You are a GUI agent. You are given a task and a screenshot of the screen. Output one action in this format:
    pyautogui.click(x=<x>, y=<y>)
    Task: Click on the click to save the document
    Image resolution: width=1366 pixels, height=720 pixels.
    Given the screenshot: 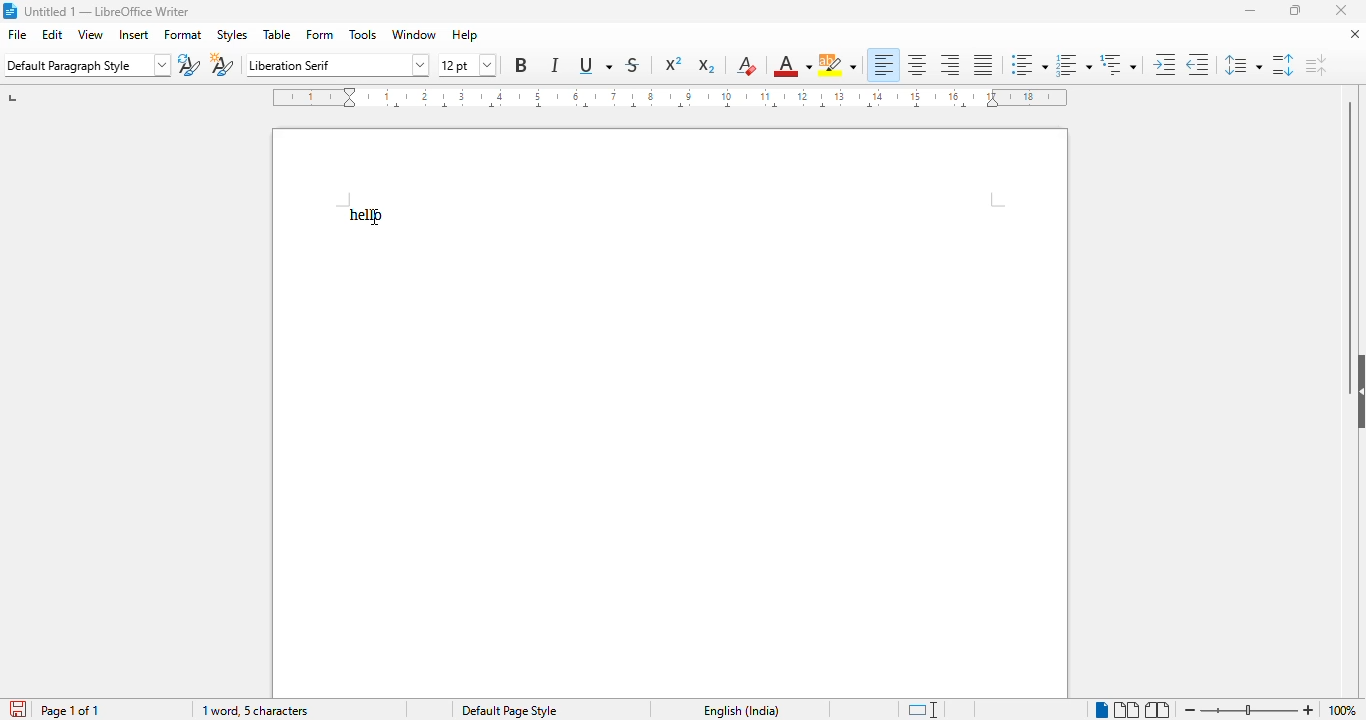 What is the action you would take?
    pyautogui.click(x=19, y=709)
    